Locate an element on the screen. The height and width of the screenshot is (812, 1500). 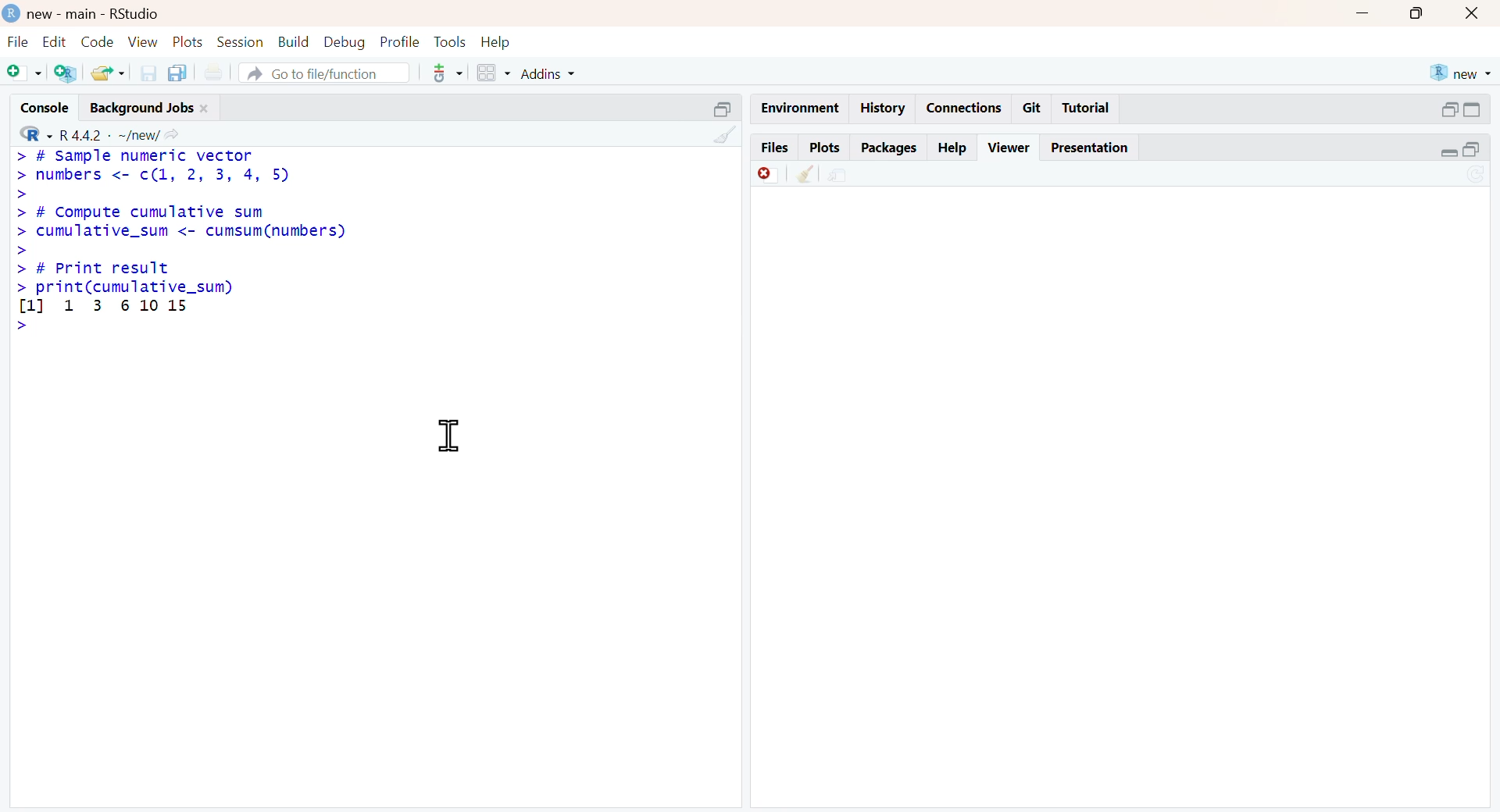
copy is located at coordinates (177, 73).